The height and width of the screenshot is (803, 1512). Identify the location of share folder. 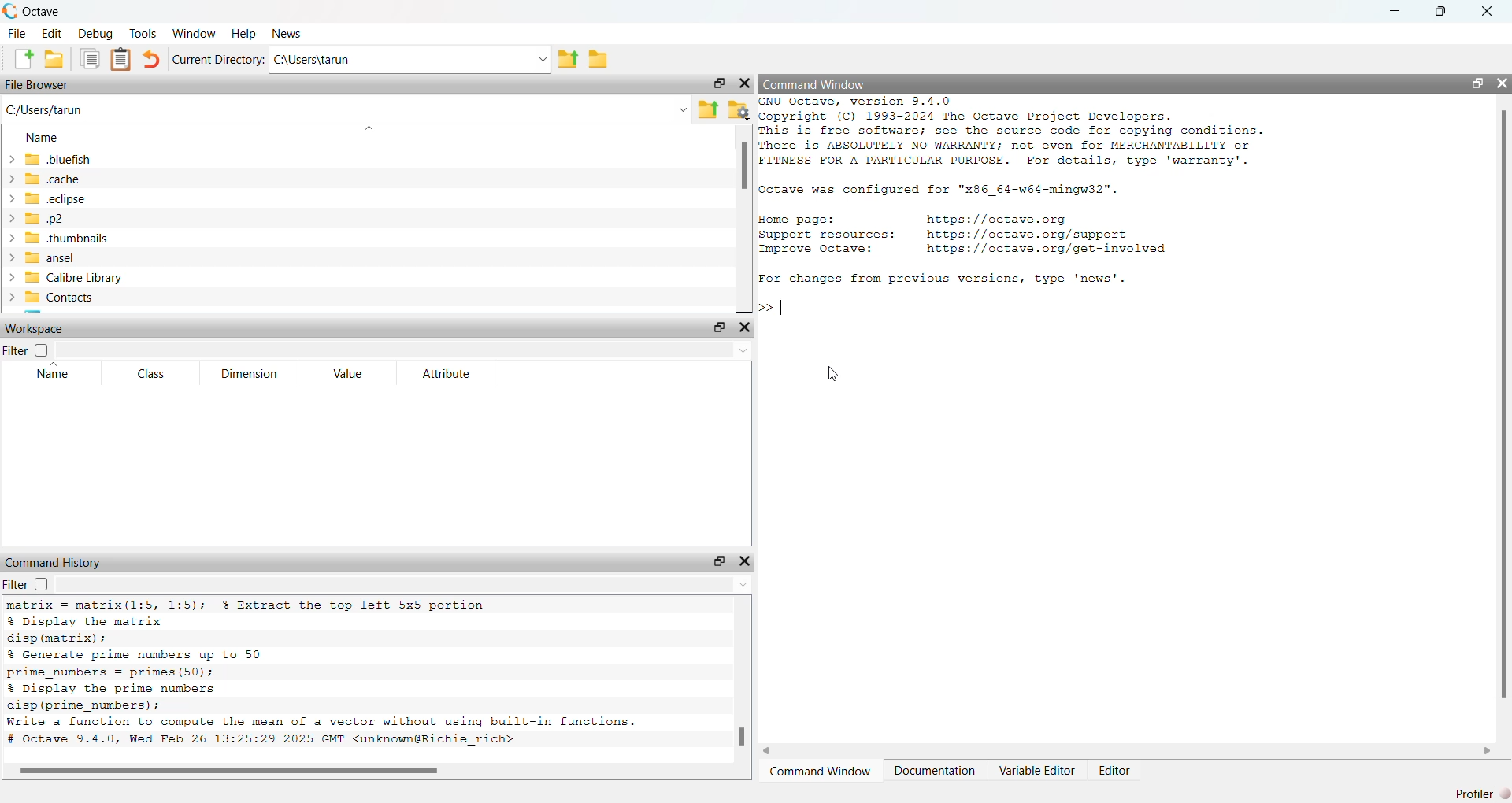
(709, 110).